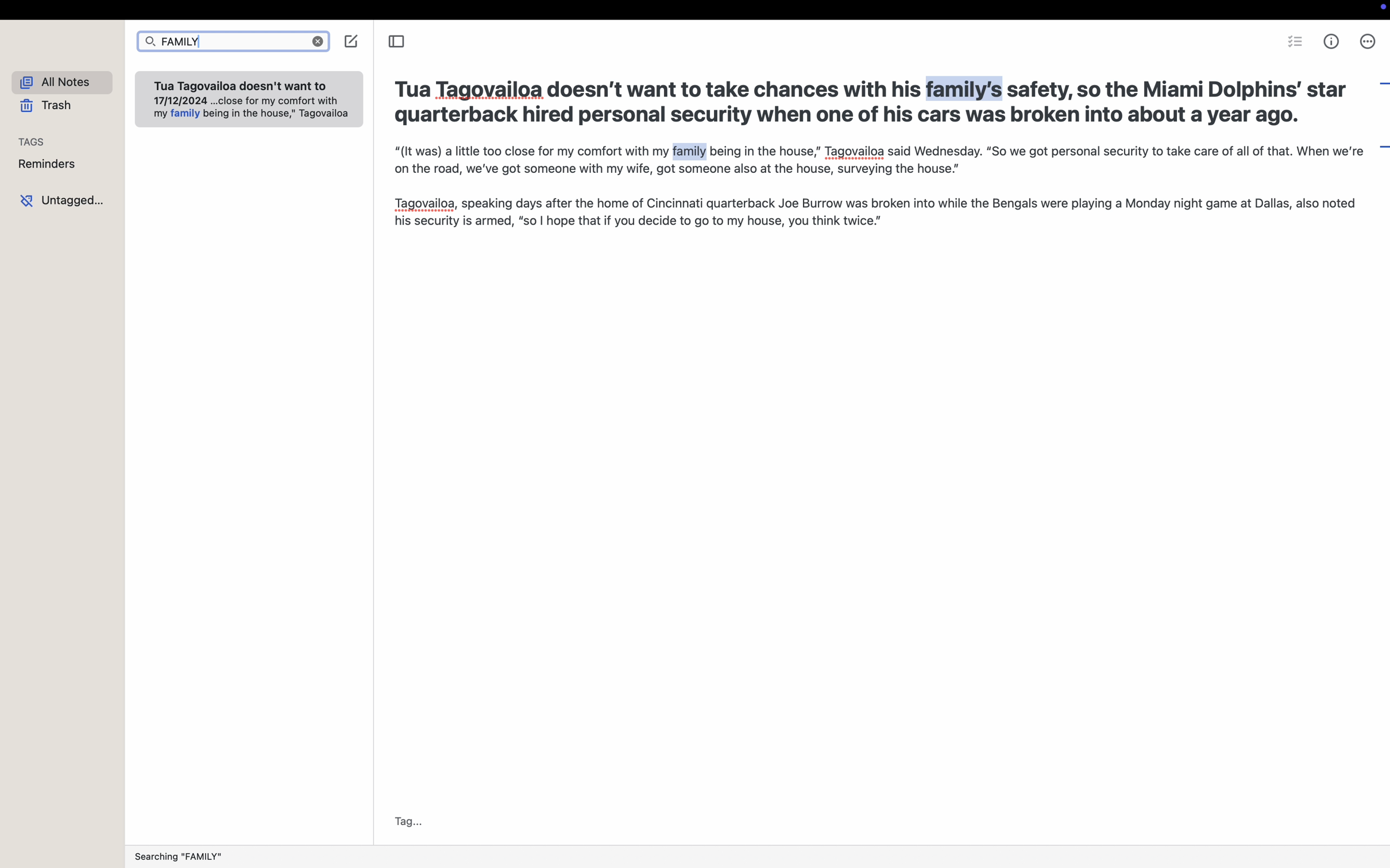  What do you see at coordinates (206, 46) in the screenshot?
I see `text cursor` at bounding box center [206, 46].